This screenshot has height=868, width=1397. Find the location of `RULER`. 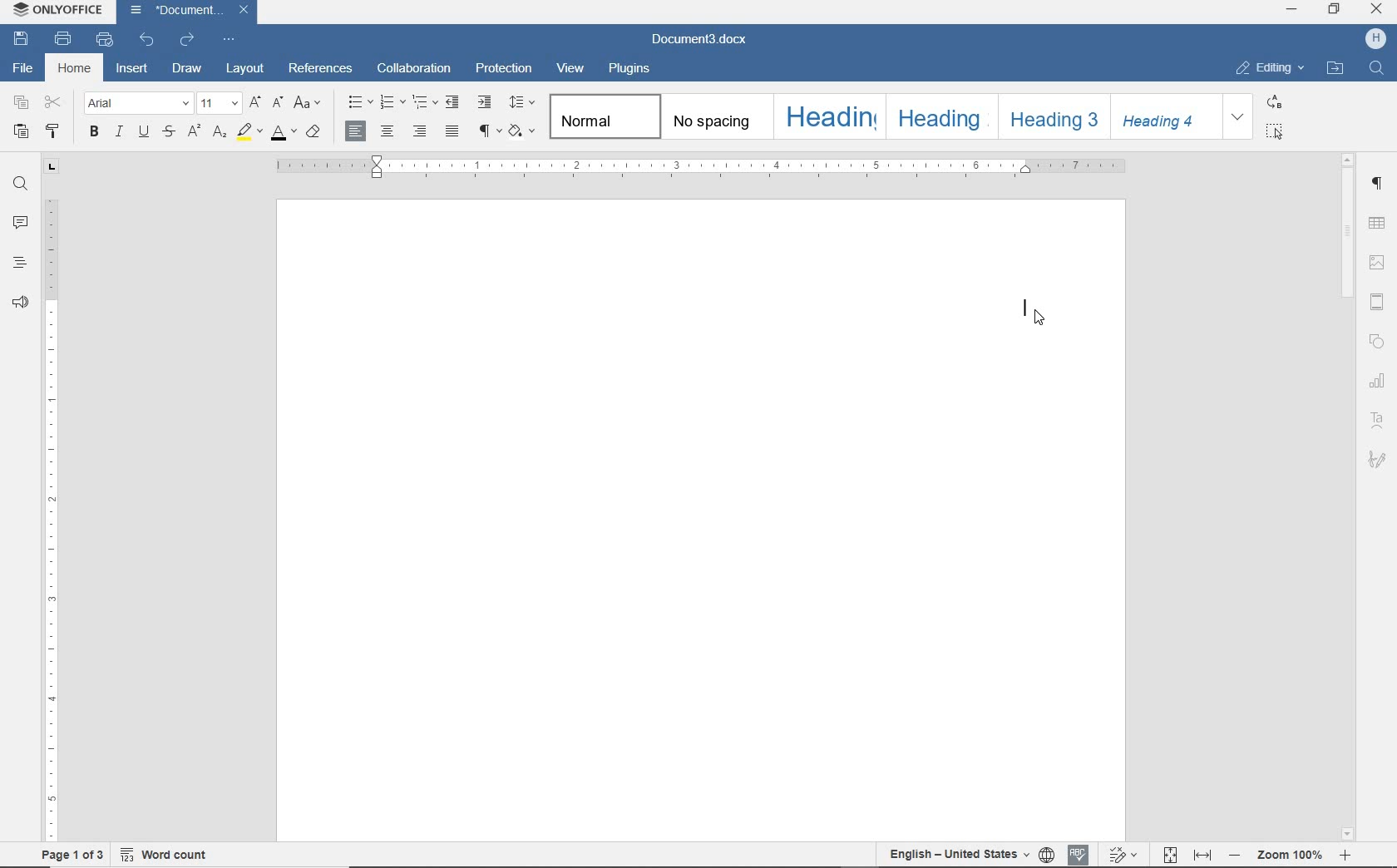

RULER is located at coordinates (700, 167).